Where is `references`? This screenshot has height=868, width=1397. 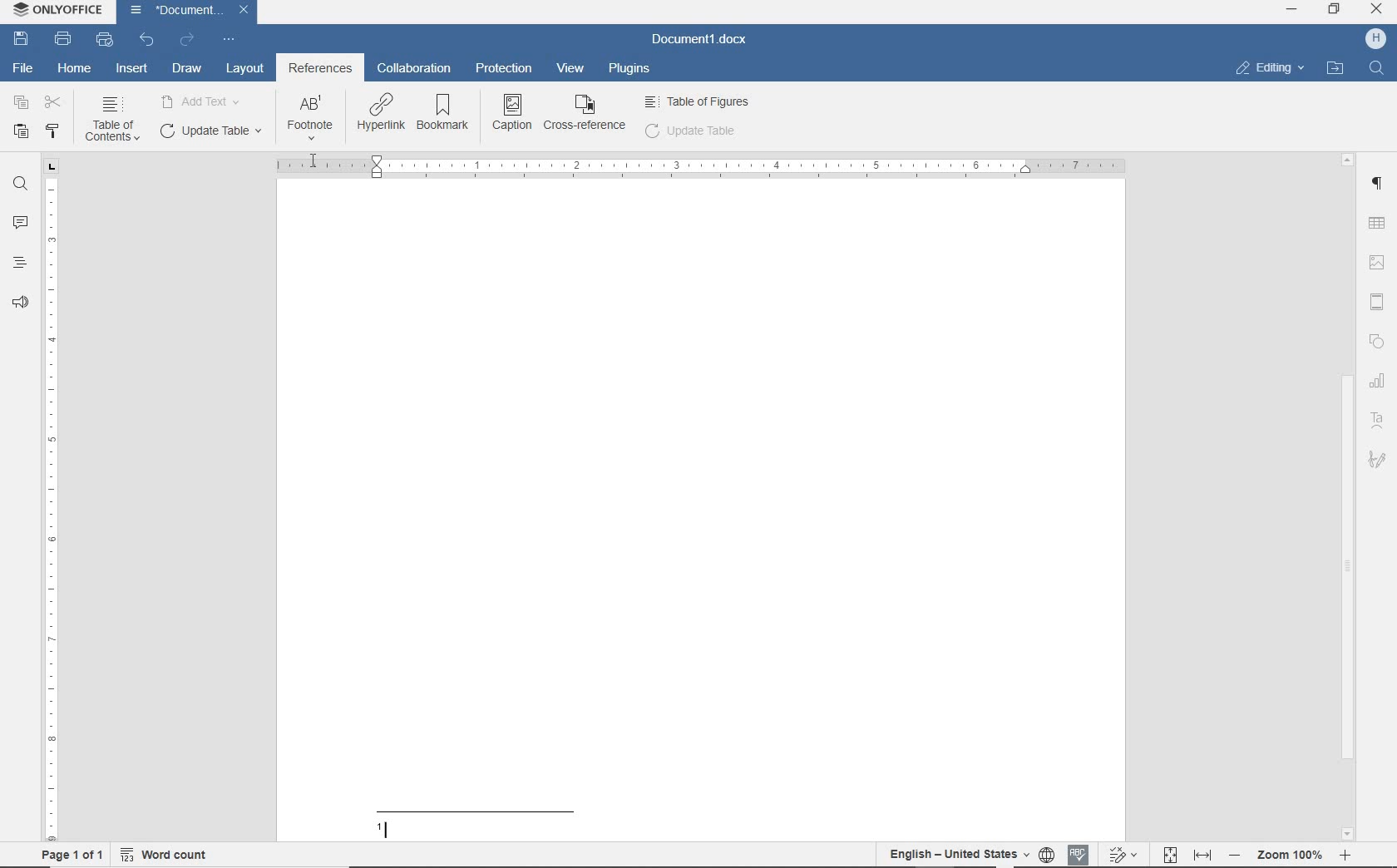
references is located at coordinates (320, 70).